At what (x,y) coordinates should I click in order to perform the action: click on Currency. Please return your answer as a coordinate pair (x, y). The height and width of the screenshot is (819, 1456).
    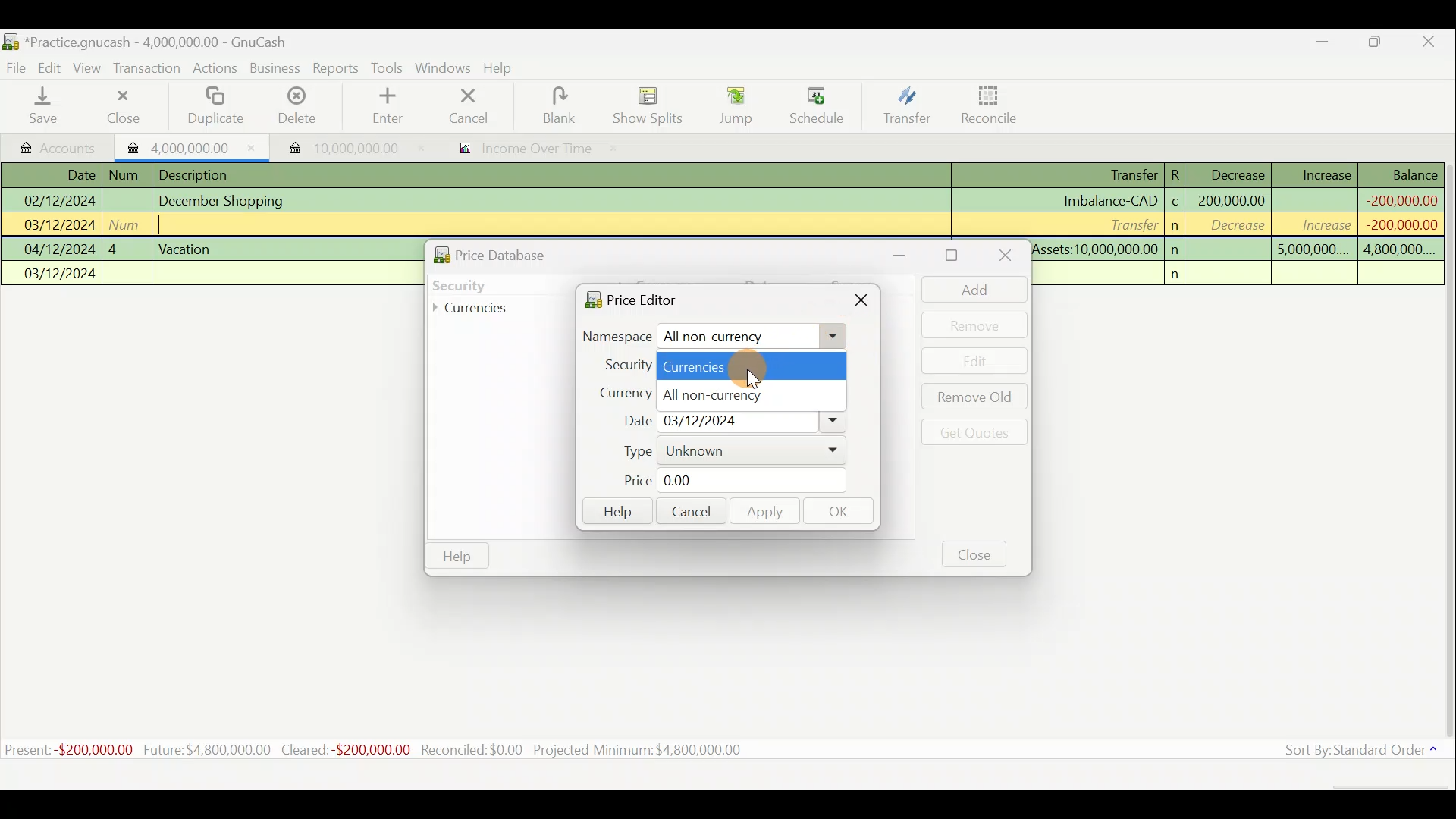
    Looking at the image, I should click on (617, 391).